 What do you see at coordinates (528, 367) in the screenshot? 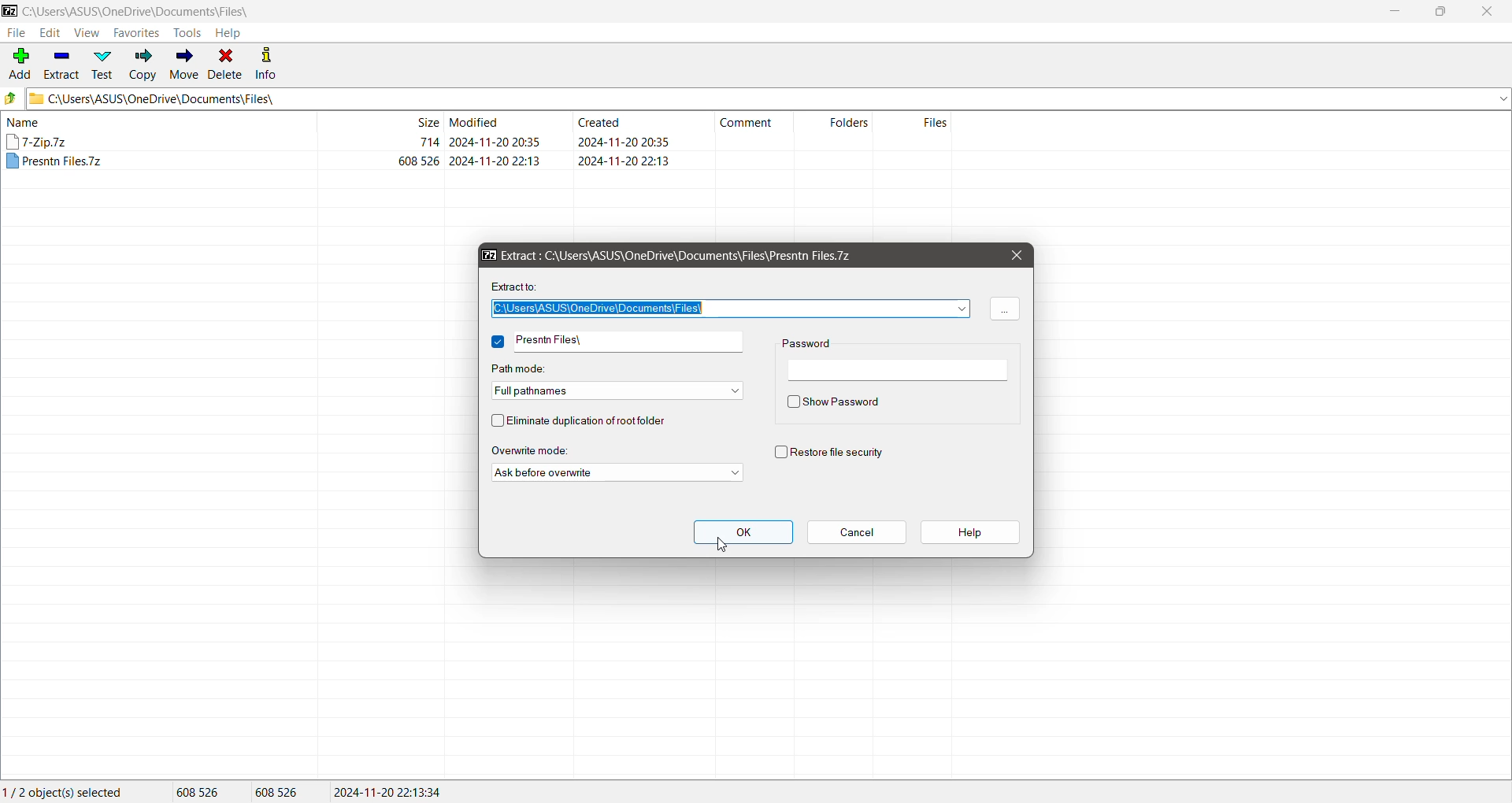
I see `Path mode:` at bounding box center [528, 367].